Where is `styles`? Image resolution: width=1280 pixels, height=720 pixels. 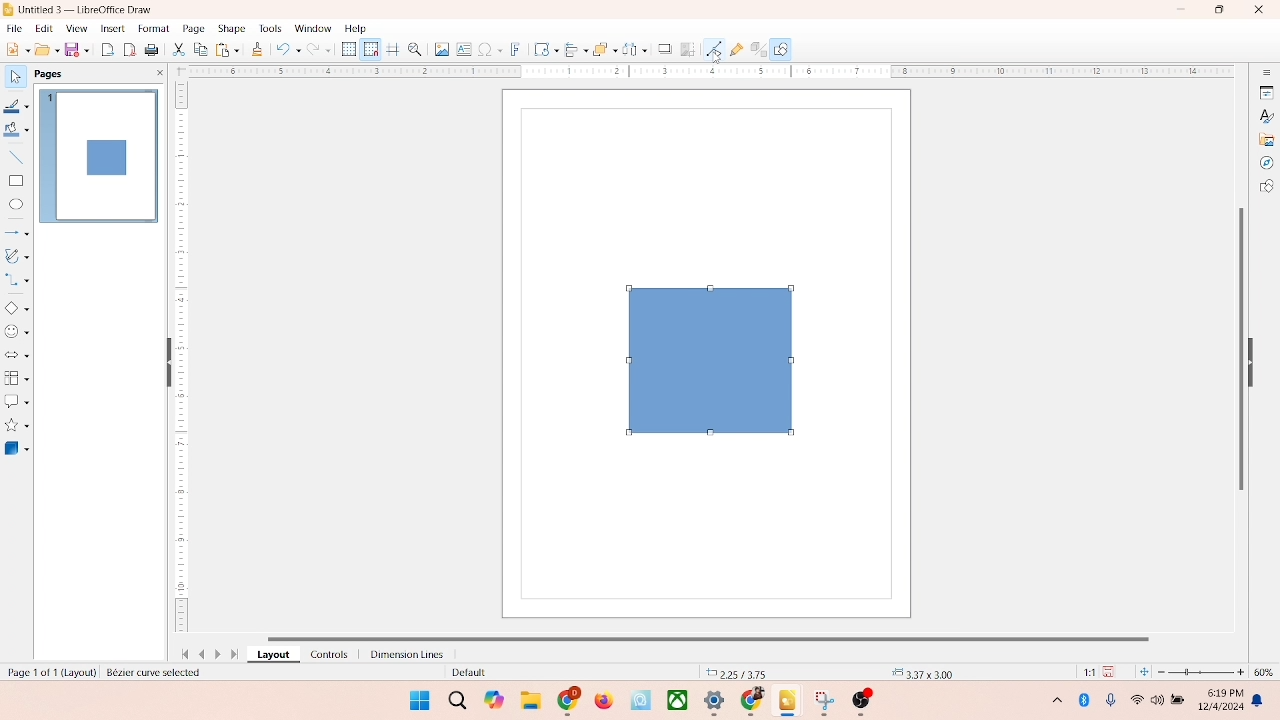 styles is located at coordinates (1265, 115).